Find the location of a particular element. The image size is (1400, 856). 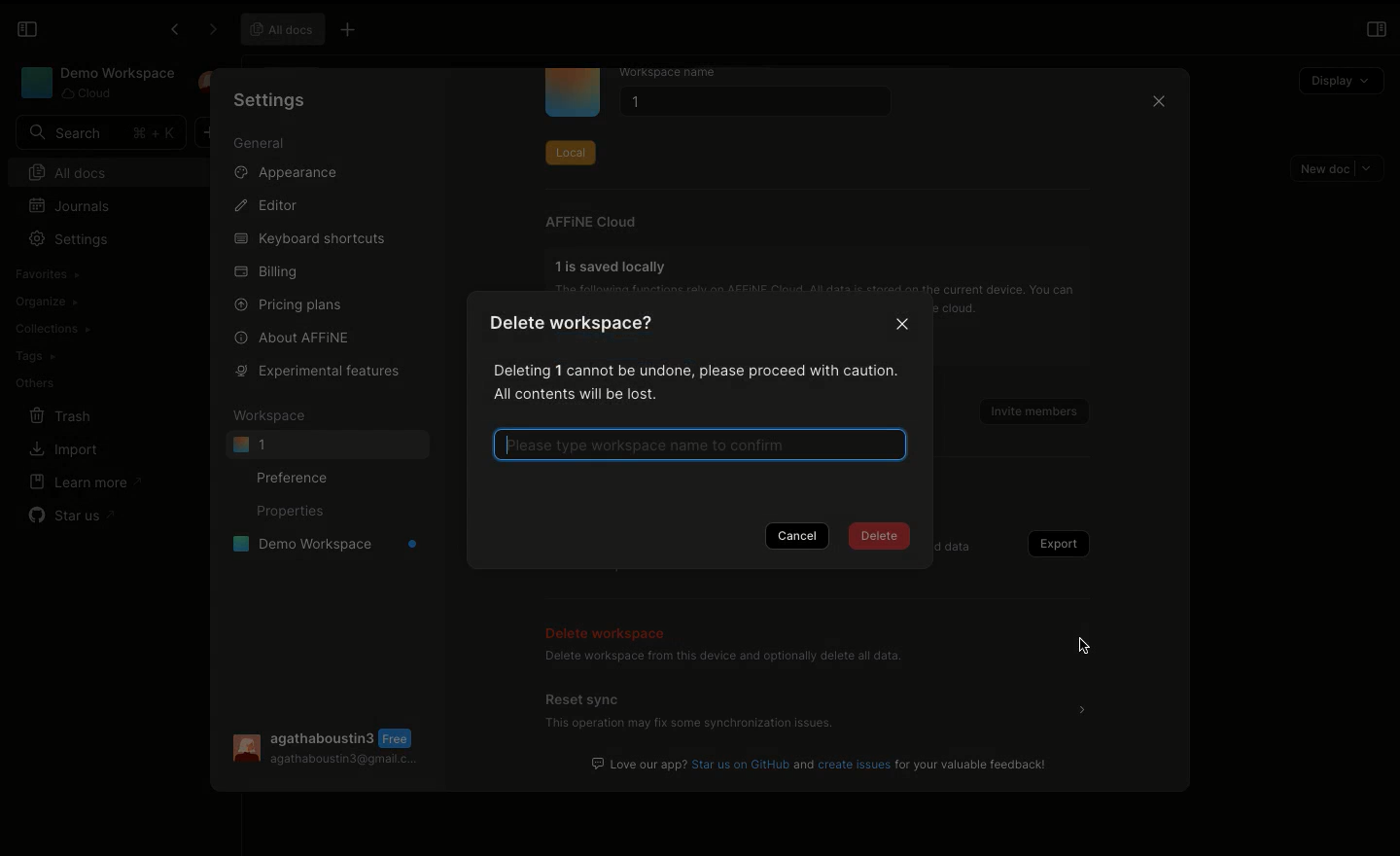

Scroll is located at coordinates (1188, 433).